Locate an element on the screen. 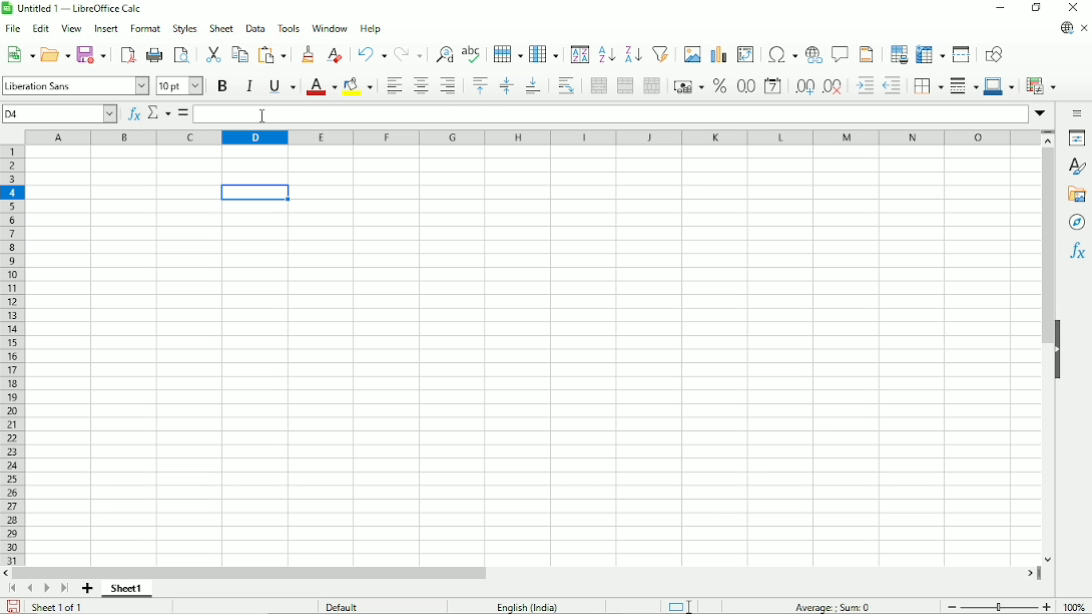 This screenshot has height=614, width=1092. Sheet is located at coordinates (221, 27).